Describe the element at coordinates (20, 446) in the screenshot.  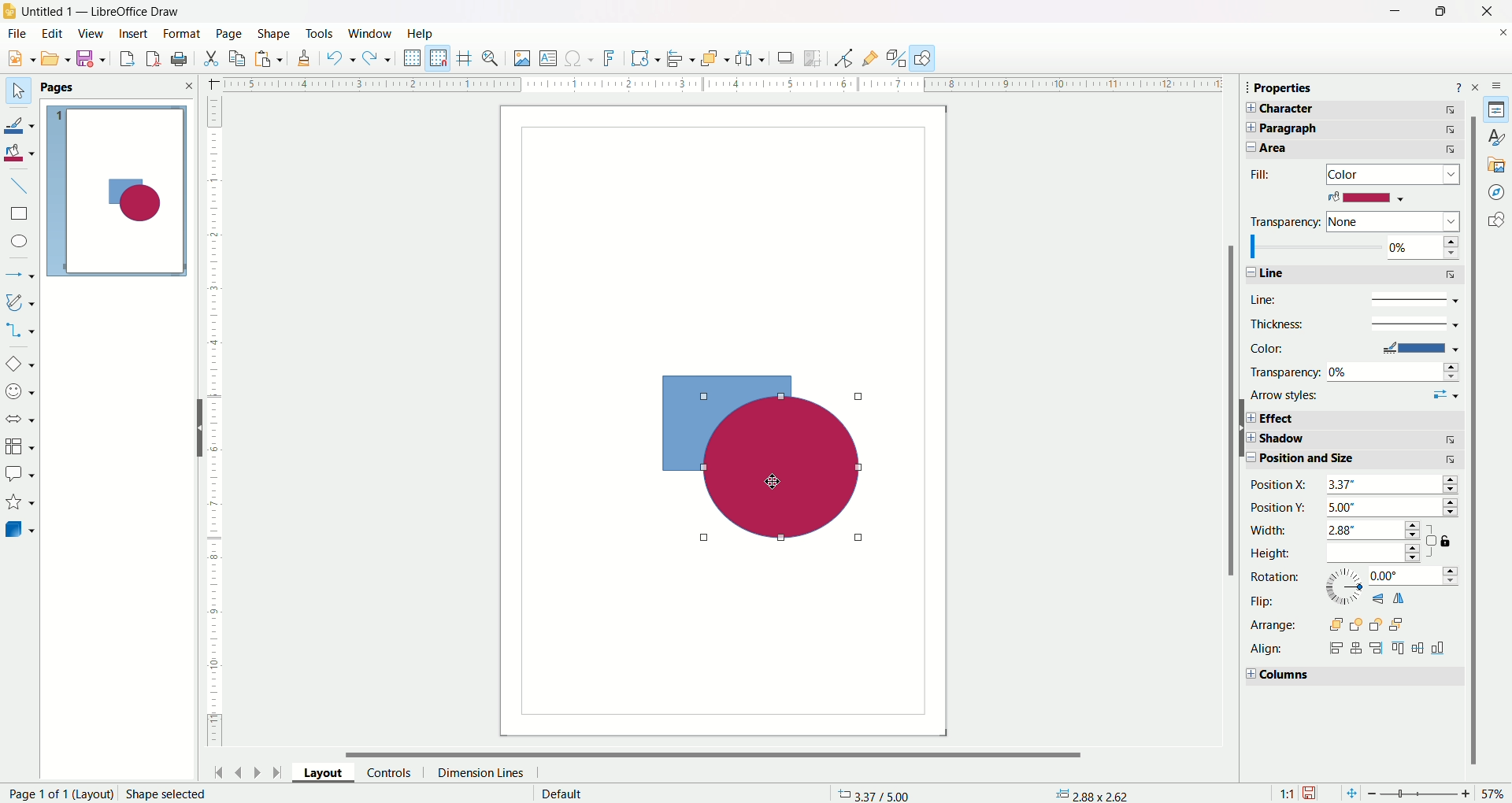
I see `flowchart` at that location.